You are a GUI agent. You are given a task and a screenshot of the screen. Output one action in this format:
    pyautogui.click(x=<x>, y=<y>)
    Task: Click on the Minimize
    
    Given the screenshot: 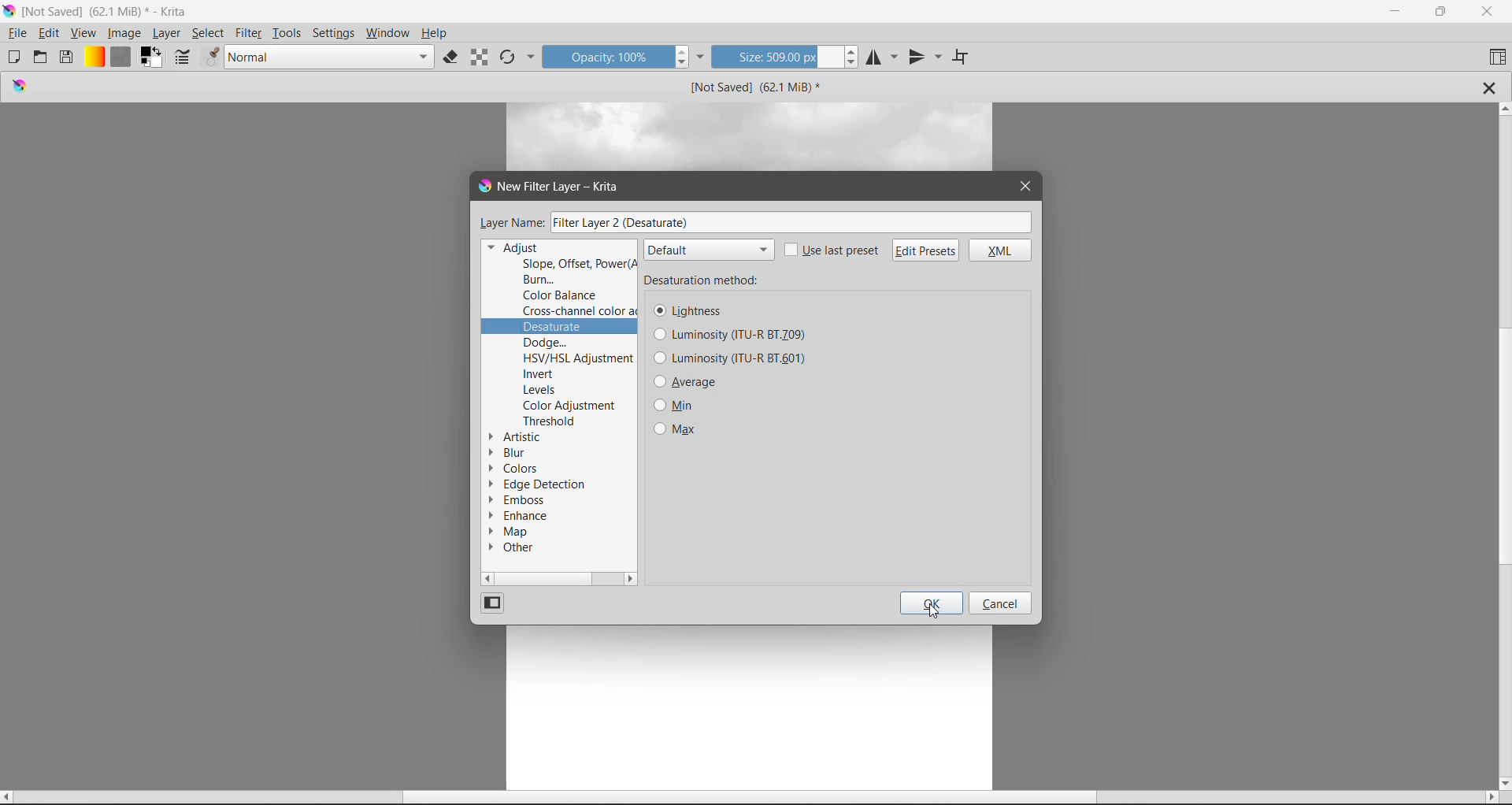 What is the action you would take?
    pyautogui.click(x=1392, y=9)
    